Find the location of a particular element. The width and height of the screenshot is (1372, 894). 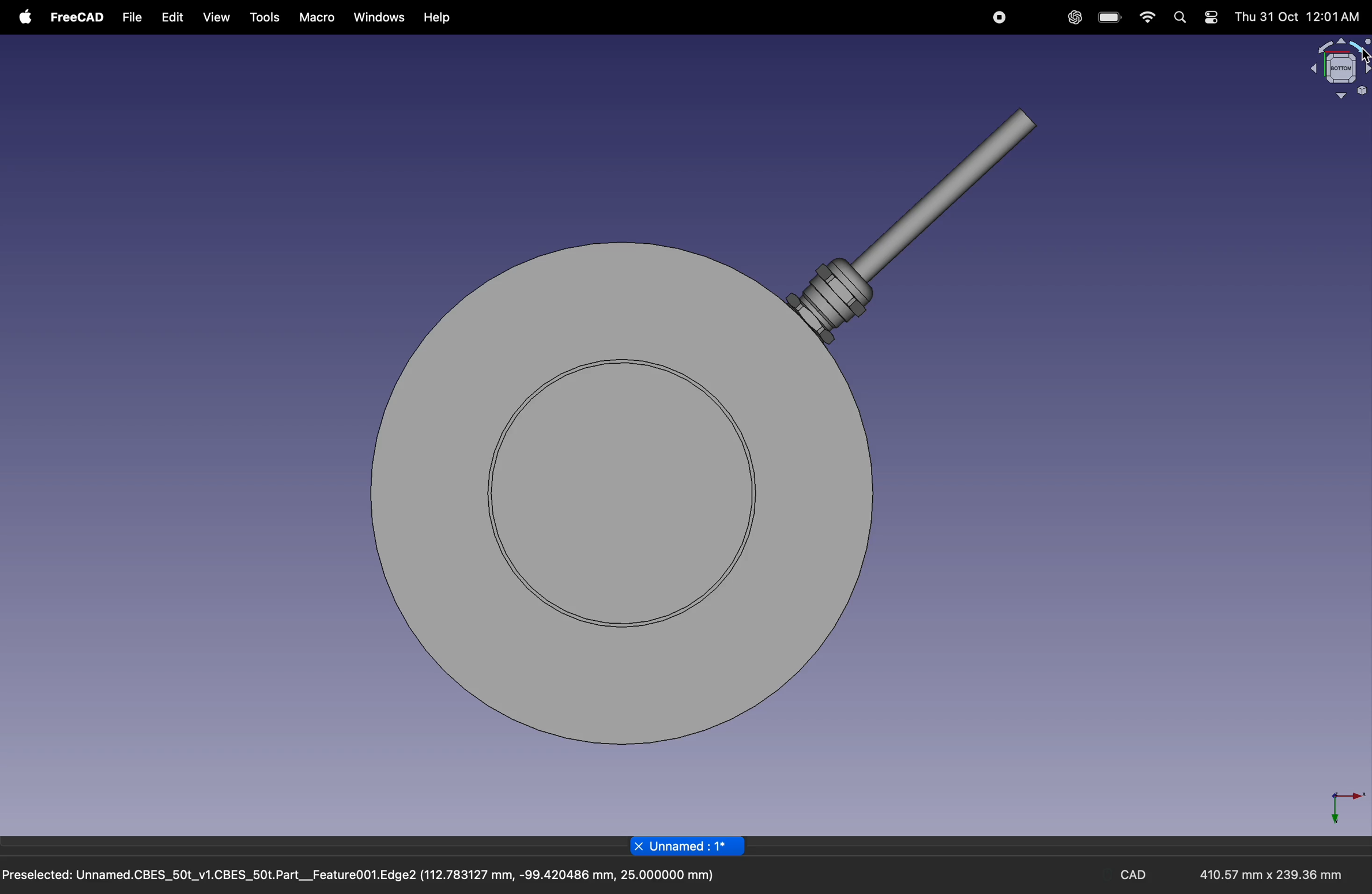

axis is located at coordinates (1345, 806).